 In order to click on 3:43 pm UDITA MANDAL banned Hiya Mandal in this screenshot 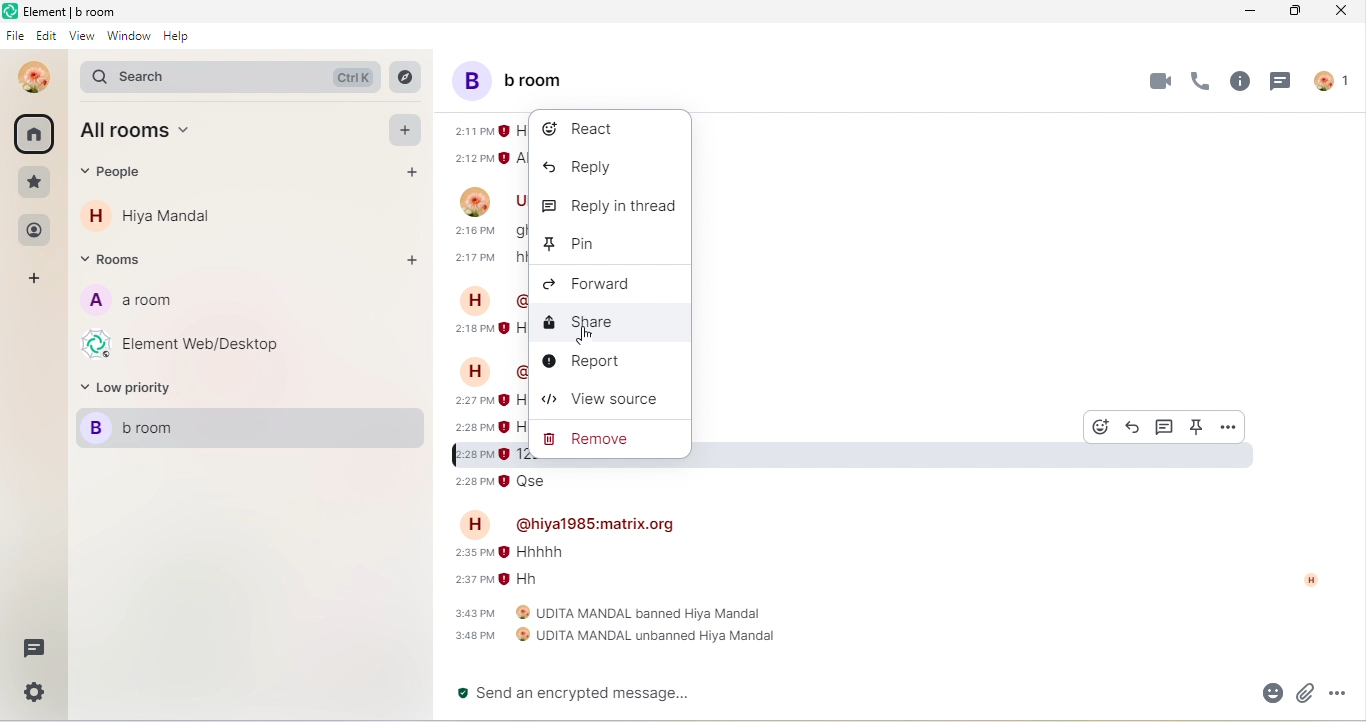, I will do `click(611, 613)`.